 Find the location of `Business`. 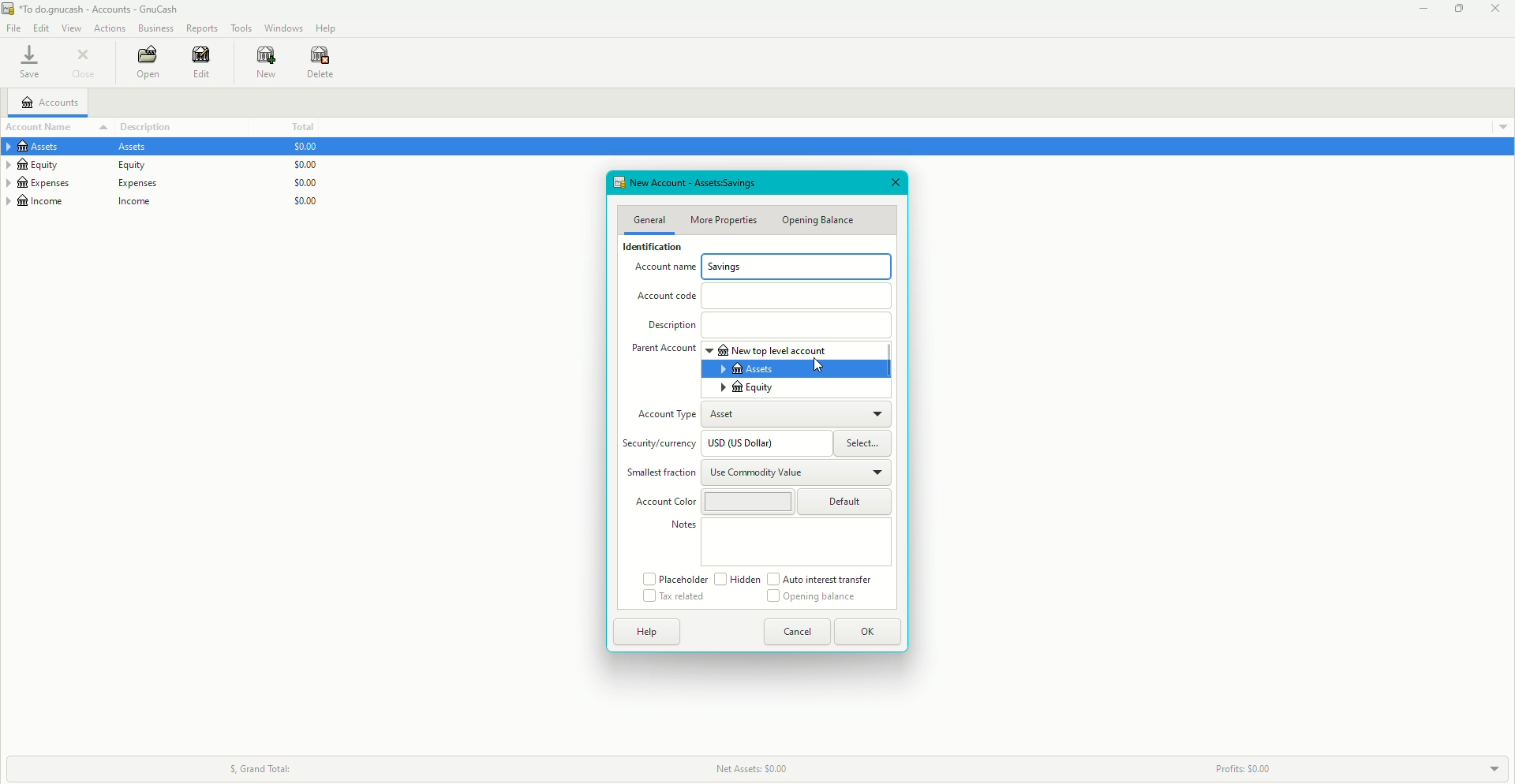

Business is located at coordinates (156, 29).